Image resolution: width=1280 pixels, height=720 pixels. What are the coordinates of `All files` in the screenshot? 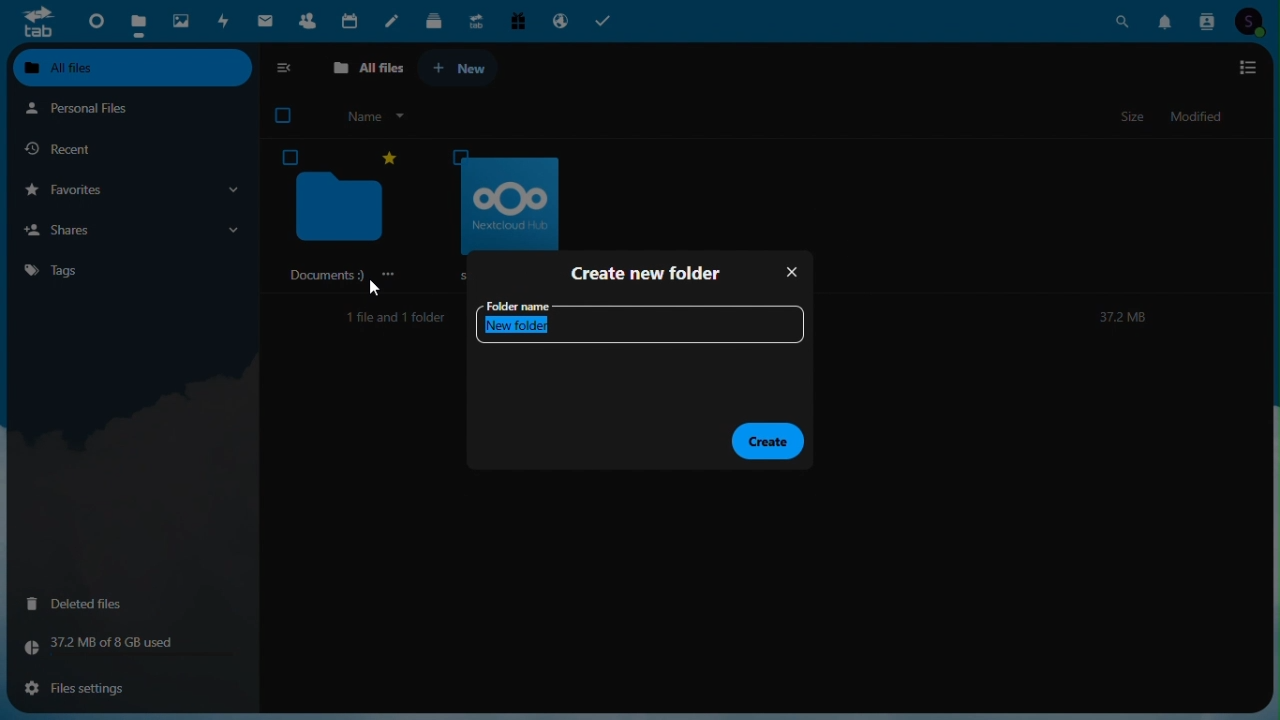 It's located at (128, 67).